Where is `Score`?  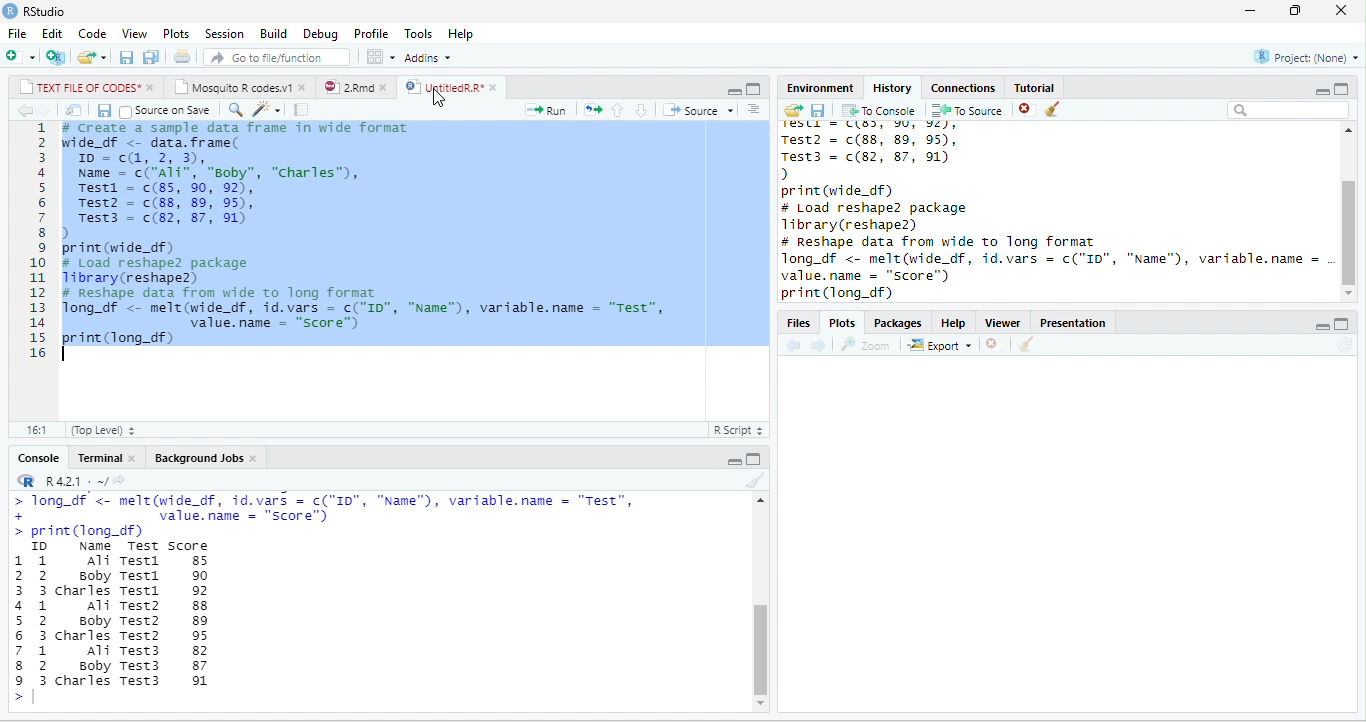 Score is located at coordinates (188, 547).